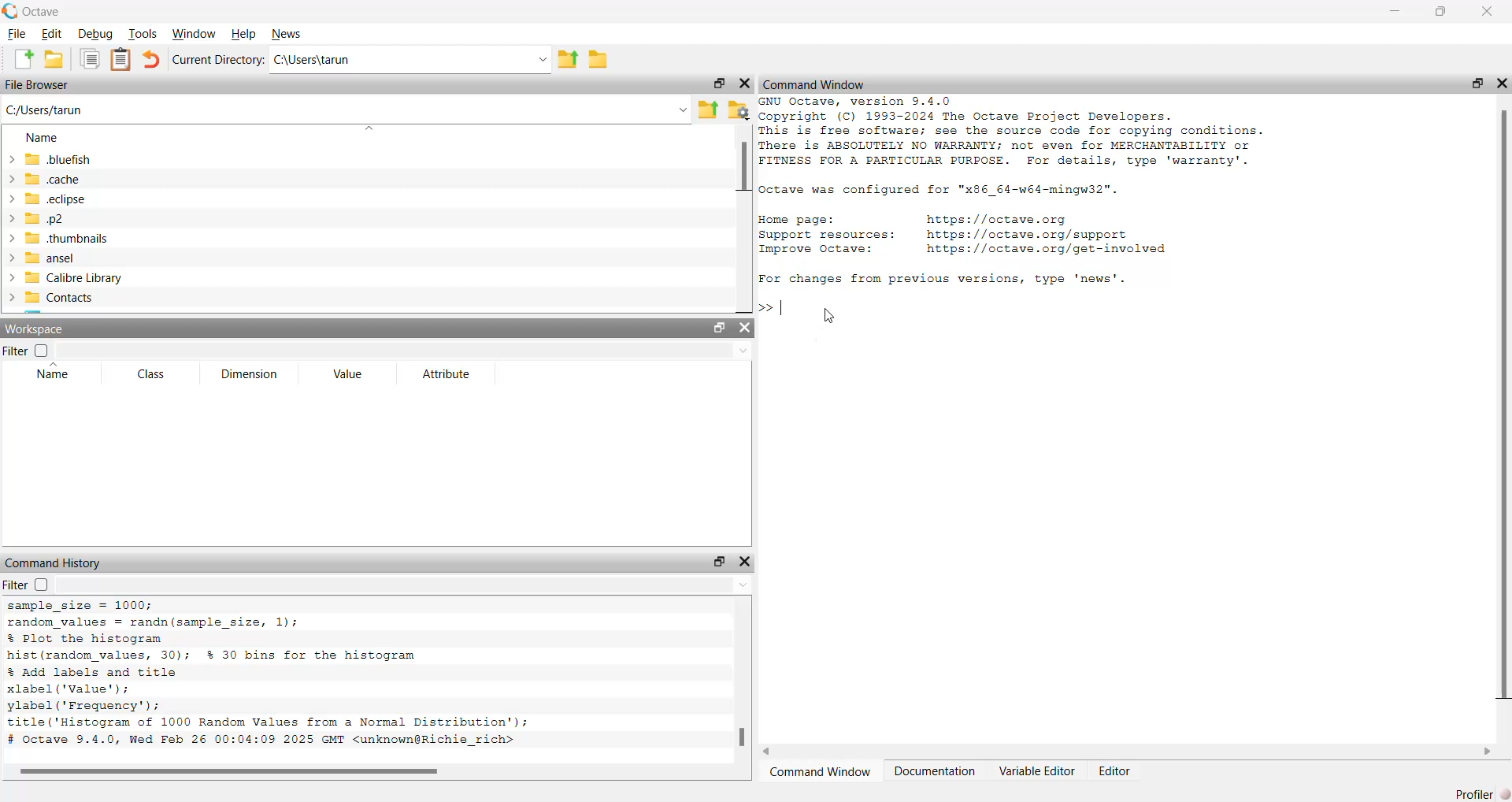  I want to click on scroll bar, so click(743, 737).